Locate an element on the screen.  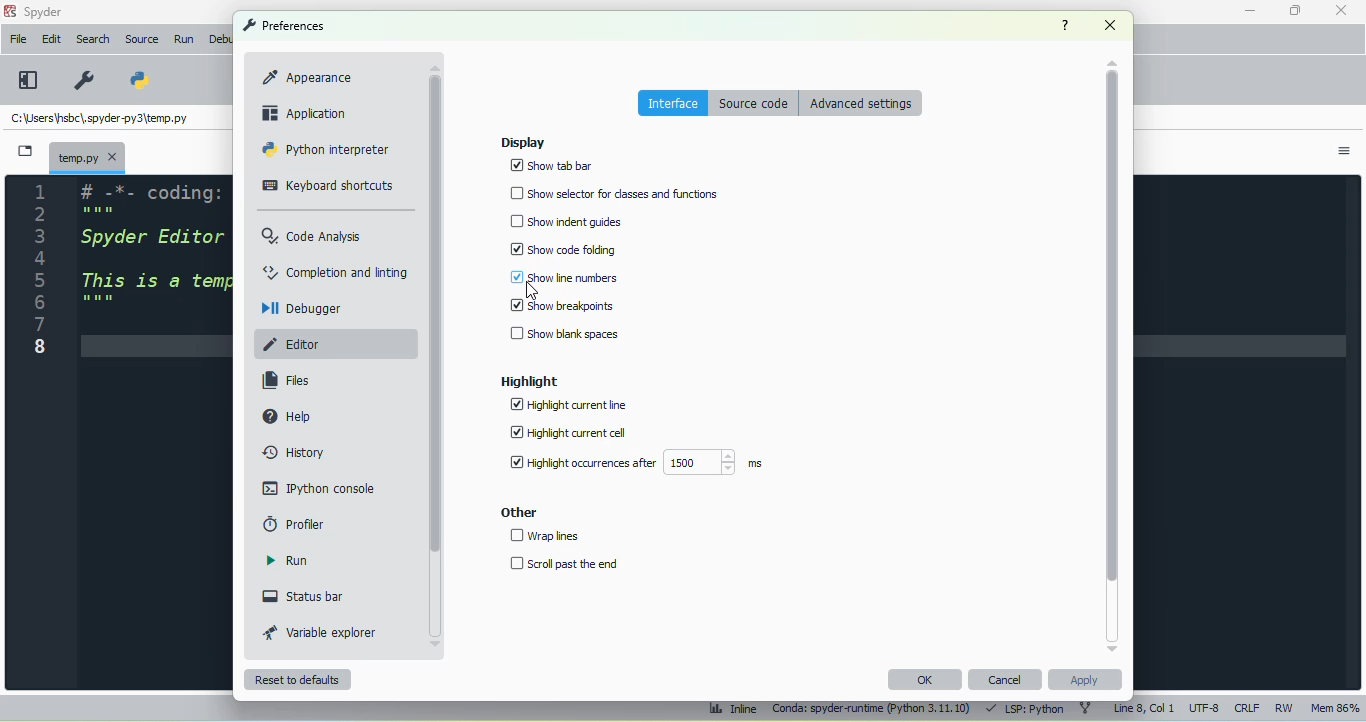
close is located at coordinates (1110, 25).